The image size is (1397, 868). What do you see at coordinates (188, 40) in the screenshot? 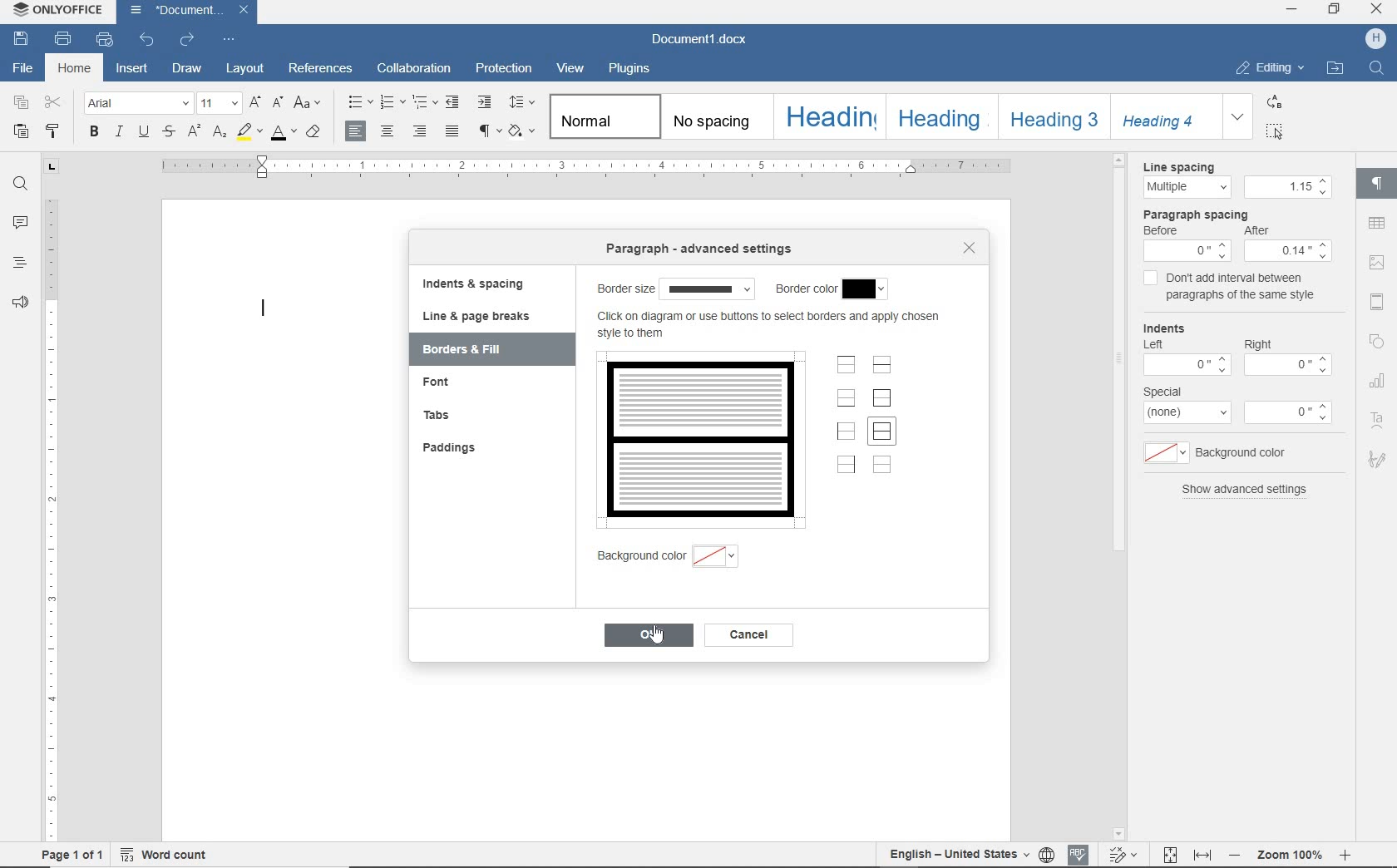
I see `redo` at bounding box center [188, 40].